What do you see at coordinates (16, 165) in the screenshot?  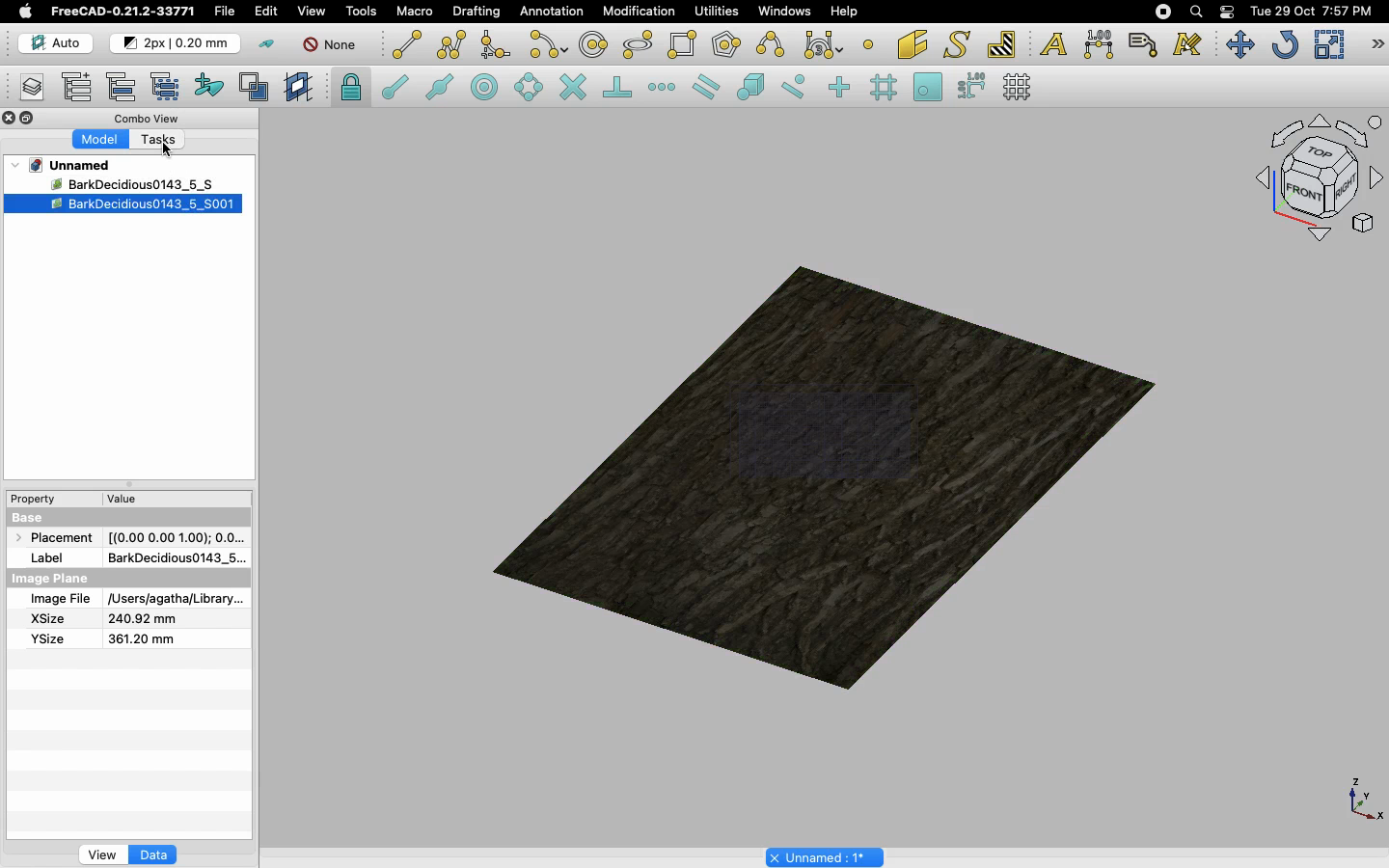 I see `Drop down` at bounding box center [16, 165].